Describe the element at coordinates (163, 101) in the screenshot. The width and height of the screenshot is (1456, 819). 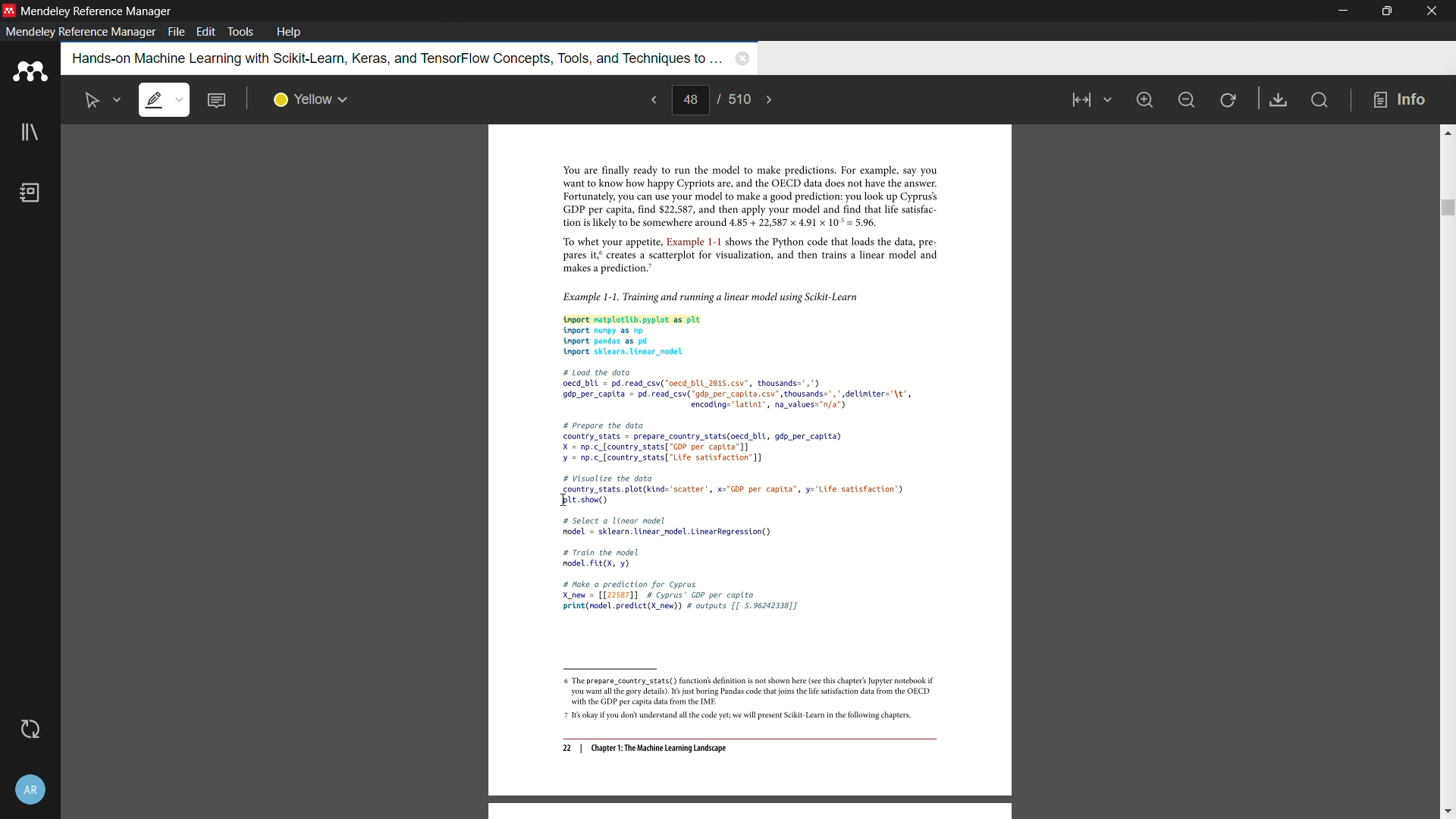
I see `highlight text is selected` at that location.